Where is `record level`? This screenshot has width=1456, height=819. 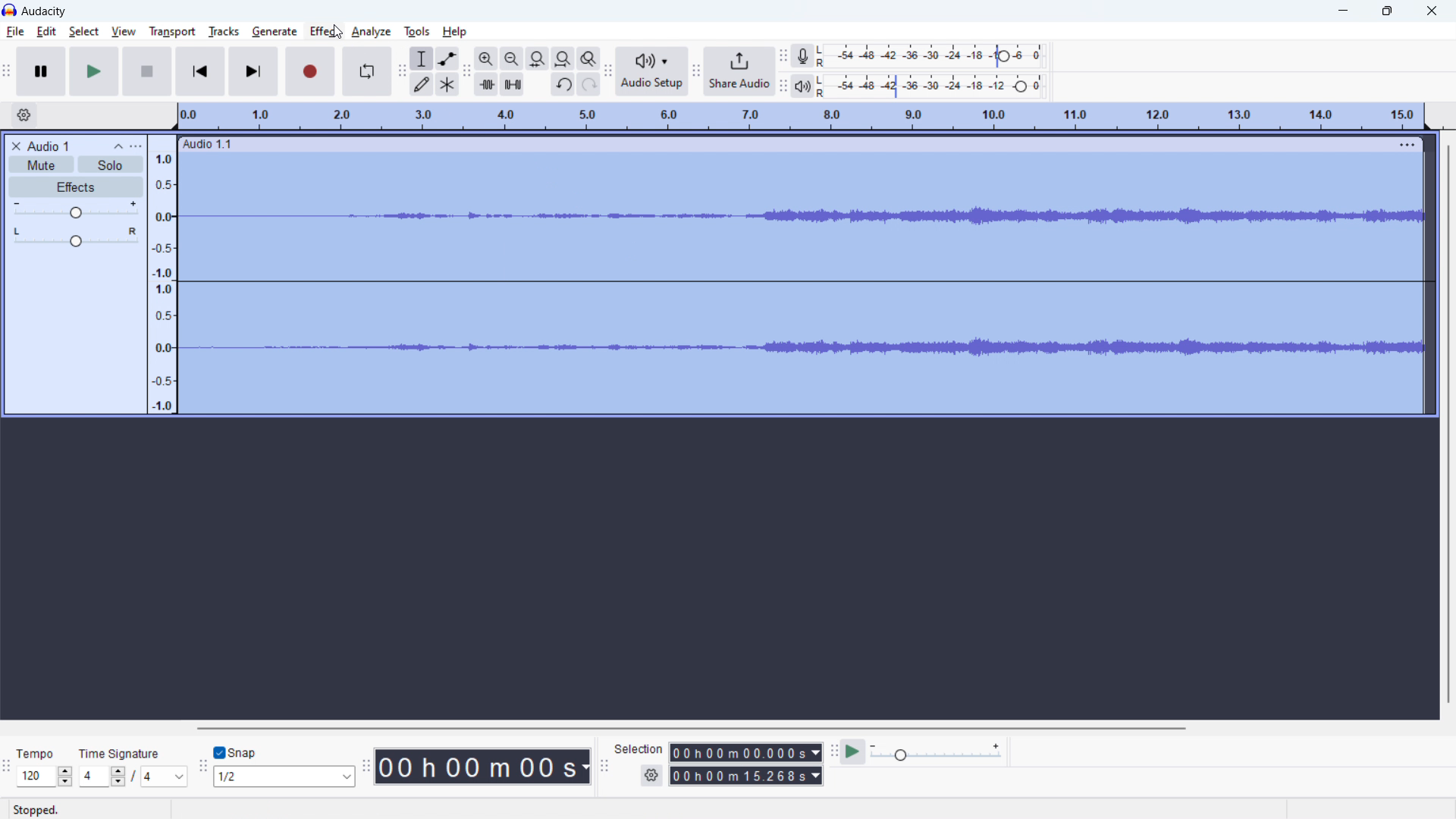
record level is located at coordinates (935, 56).